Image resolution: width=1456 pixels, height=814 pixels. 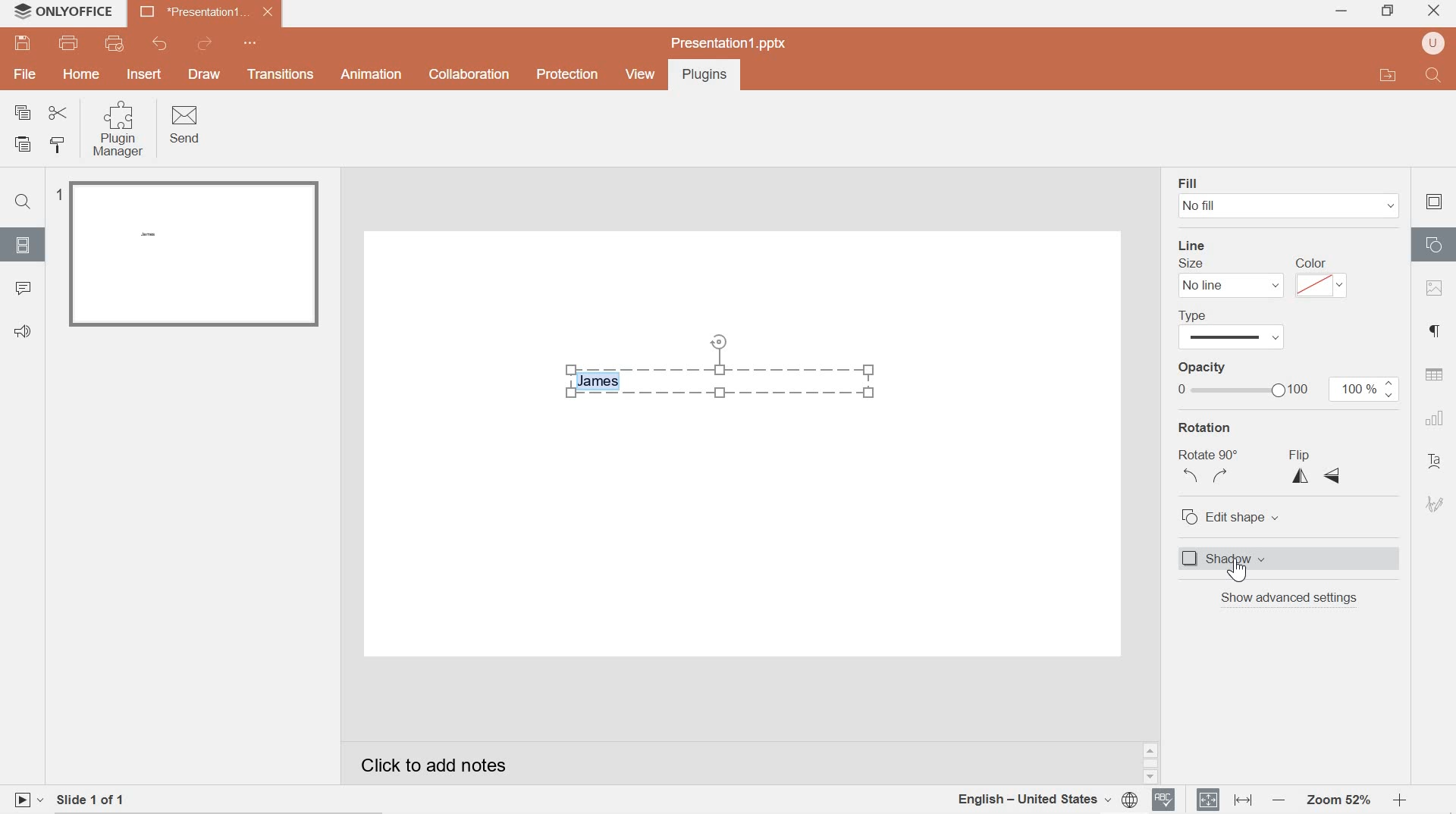 I want to click on DRAW, so click(x=207, y=76).